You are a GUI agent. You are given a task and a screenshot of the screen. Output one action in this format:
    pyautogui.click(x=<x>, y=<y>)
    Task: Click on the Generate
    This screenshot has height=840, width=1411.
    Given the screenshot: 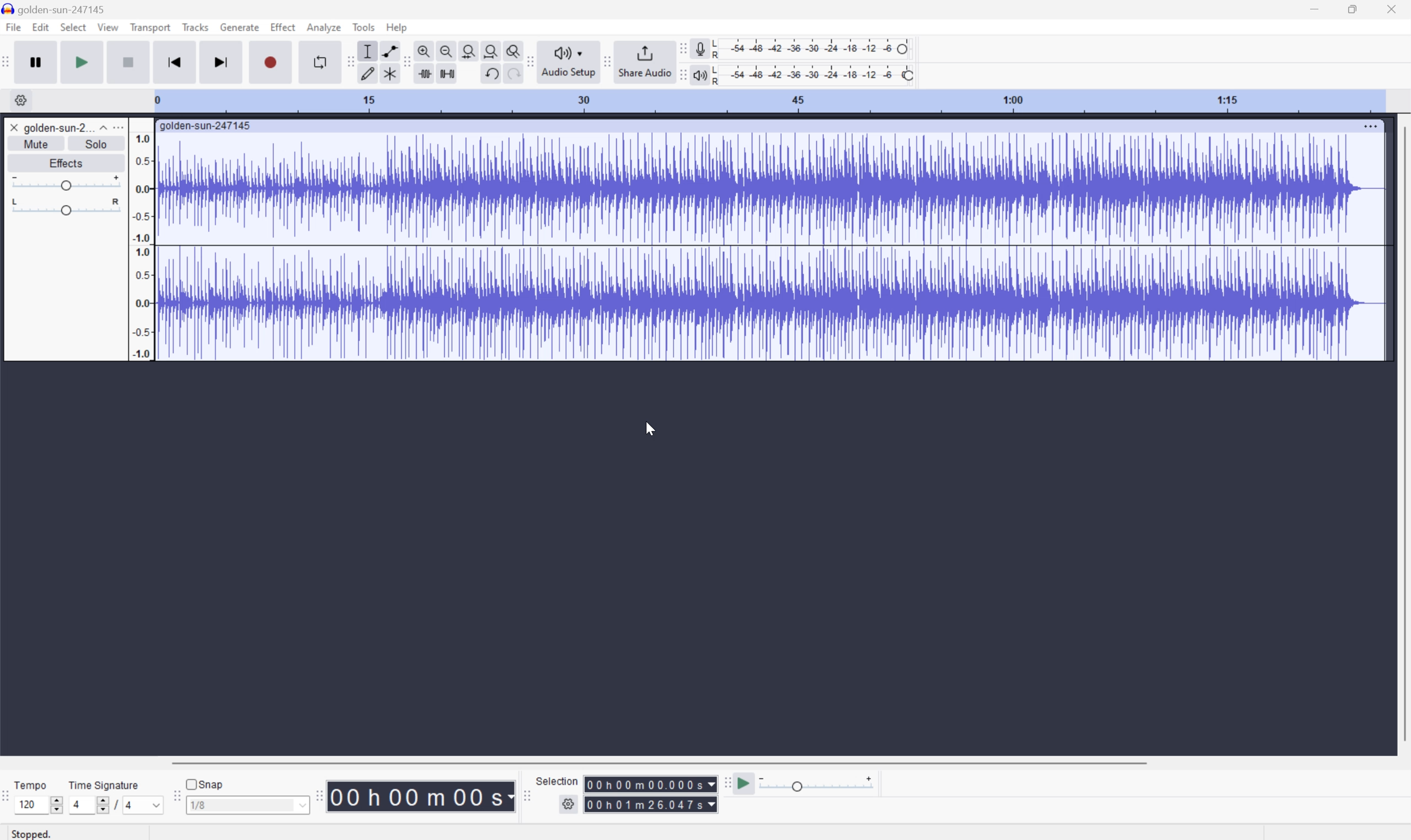 What is the action you would take?
    pyautogui.click(x=241, y=27)
    